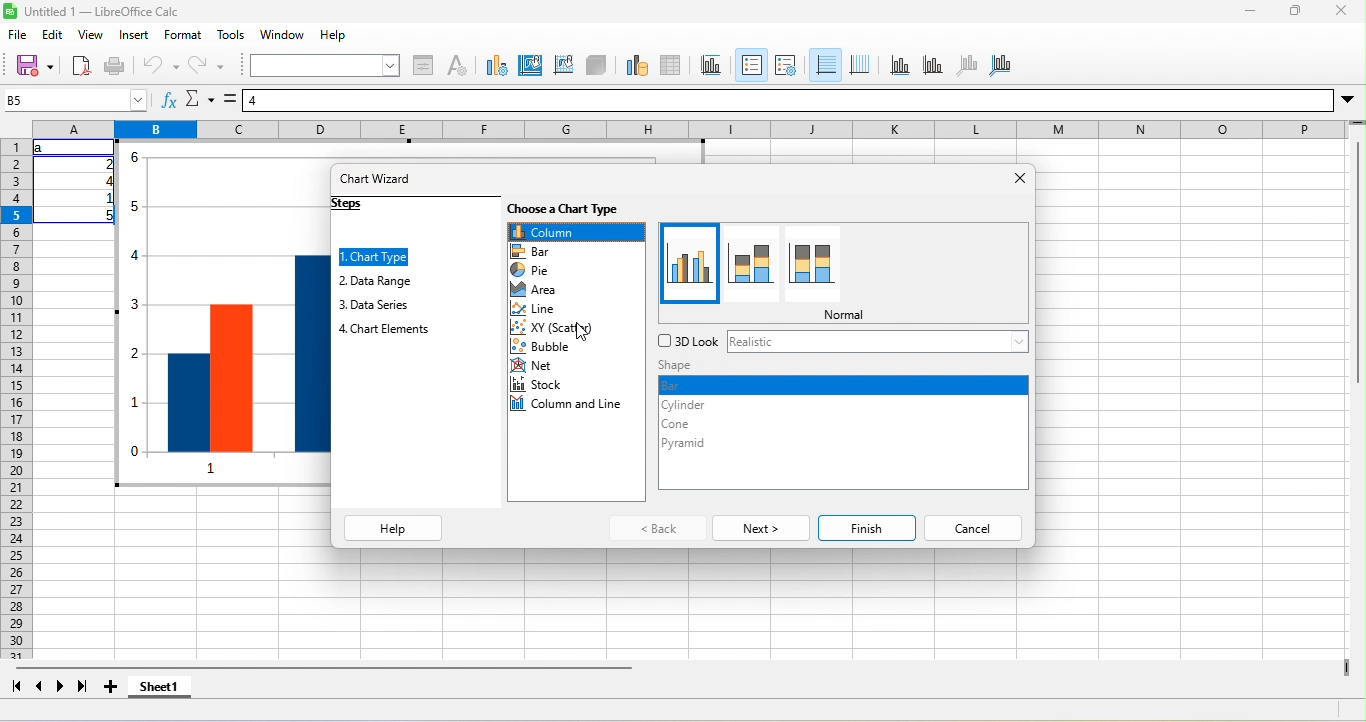 This screenshot has width=1366, height=722. I want to click on pyramid, so click(685, 443).